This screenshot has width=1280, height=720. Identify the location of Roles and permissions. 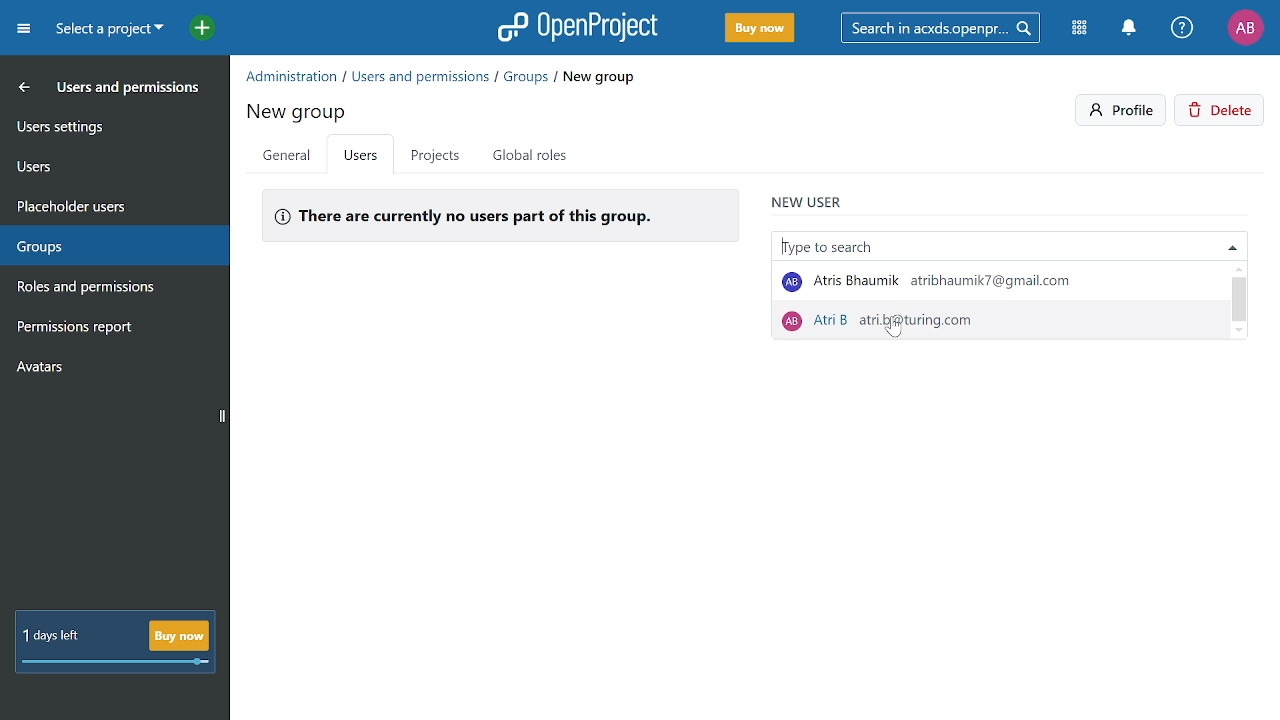
(103, 289).